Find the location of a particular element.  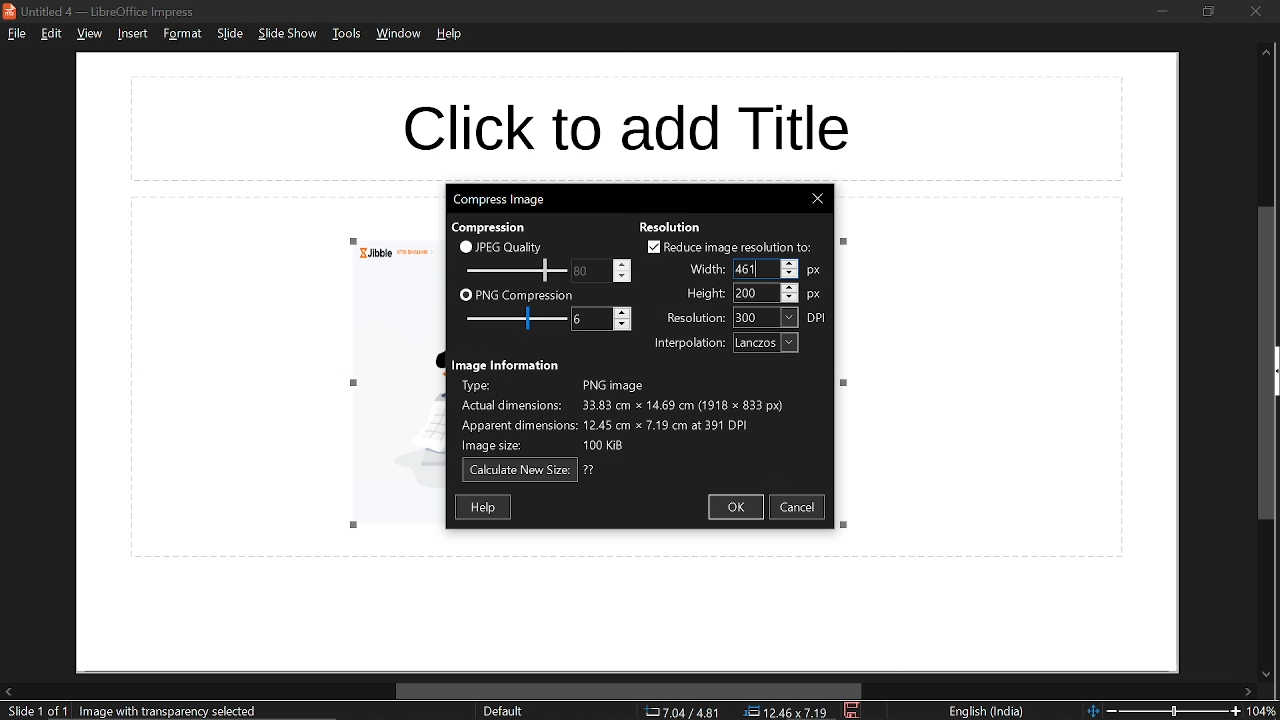

Increase  is located at coordinates (623, 262).